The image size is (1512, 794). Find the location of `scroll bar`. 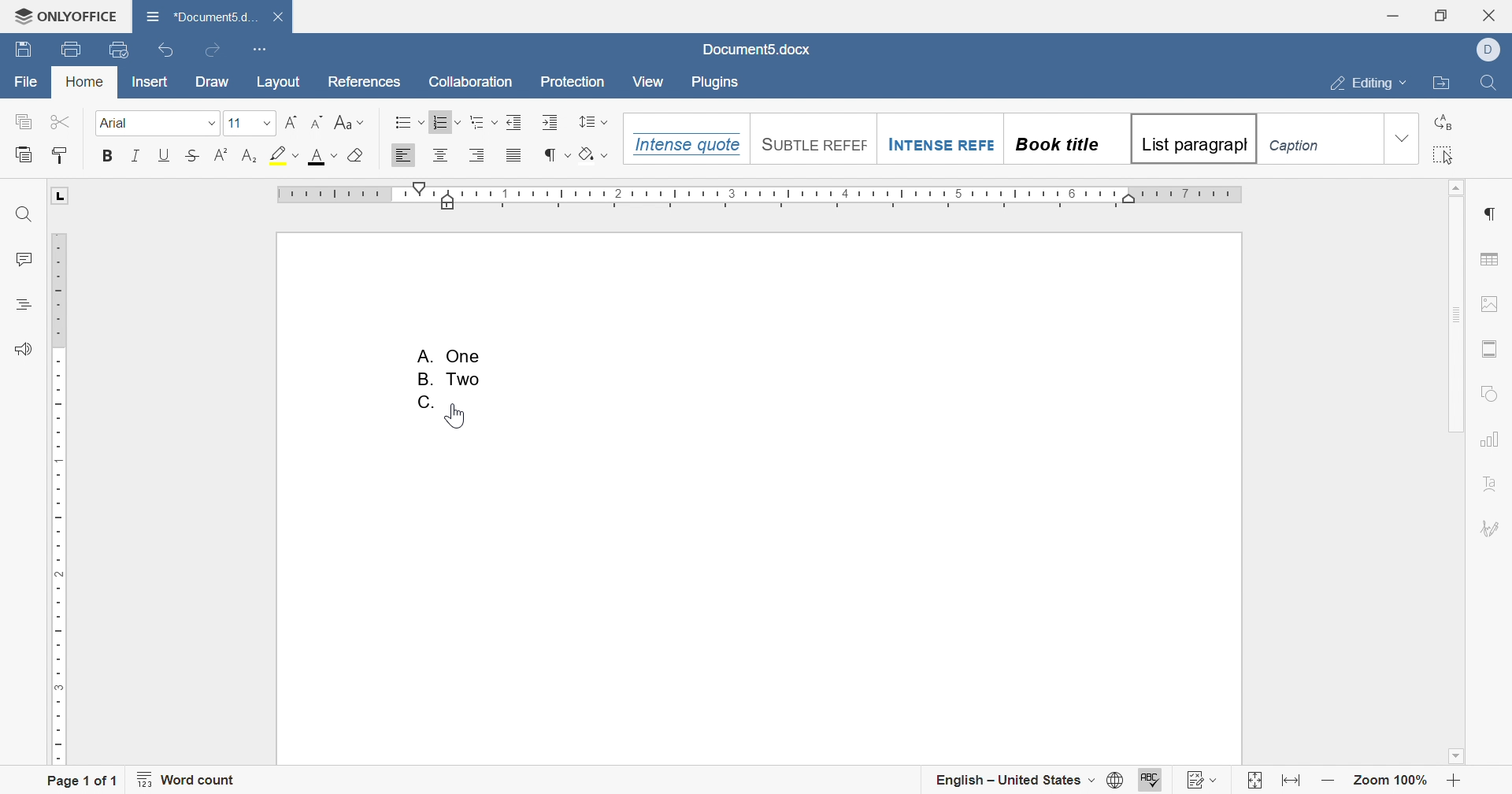

scroll bar is located at coordinates (1455, 307).